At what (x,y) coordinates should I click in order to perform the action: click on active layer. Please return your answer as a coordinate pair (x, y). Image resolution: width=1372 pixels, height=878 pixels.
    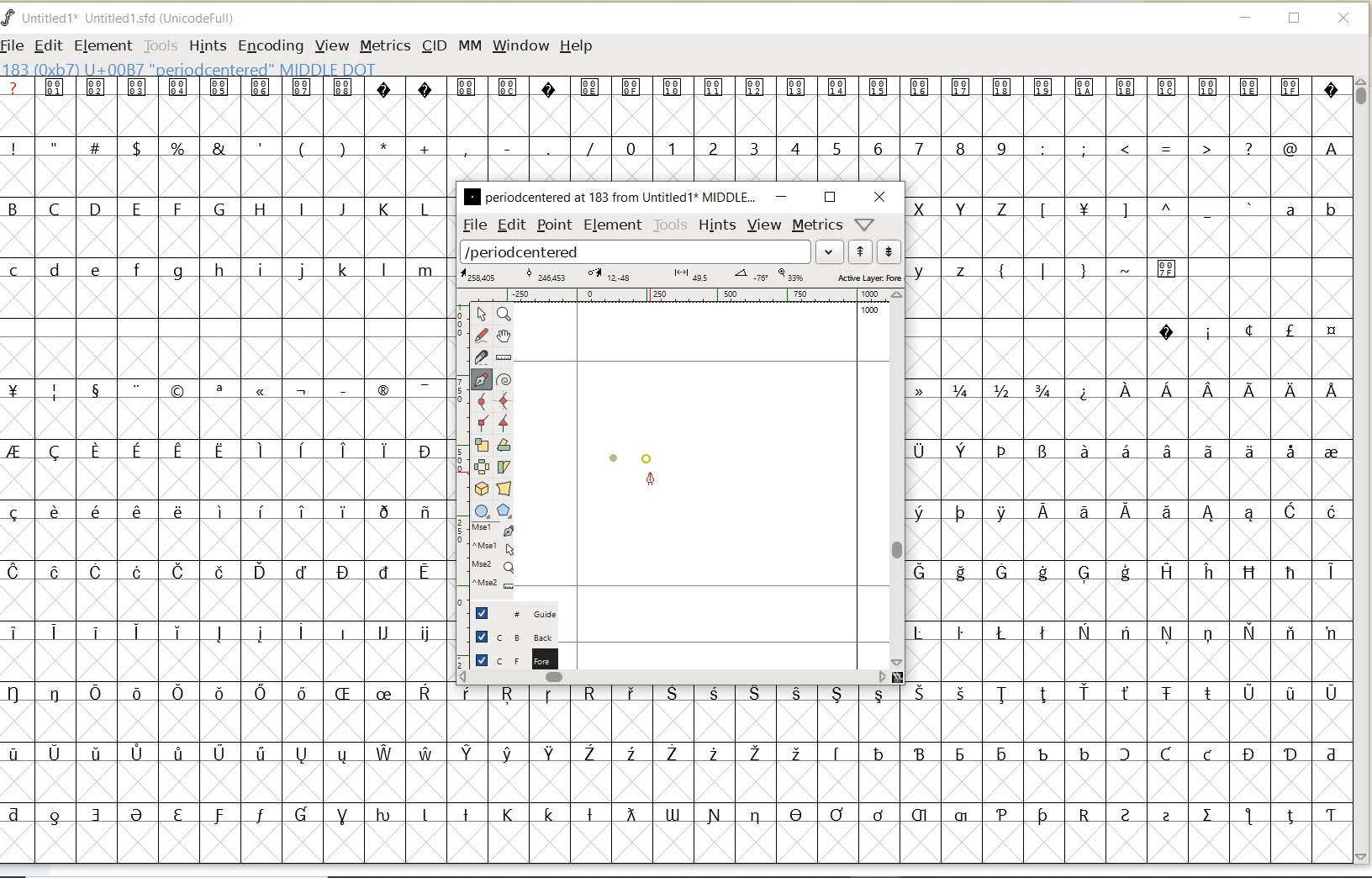
    Looking at the image, I should click on (679, 277).